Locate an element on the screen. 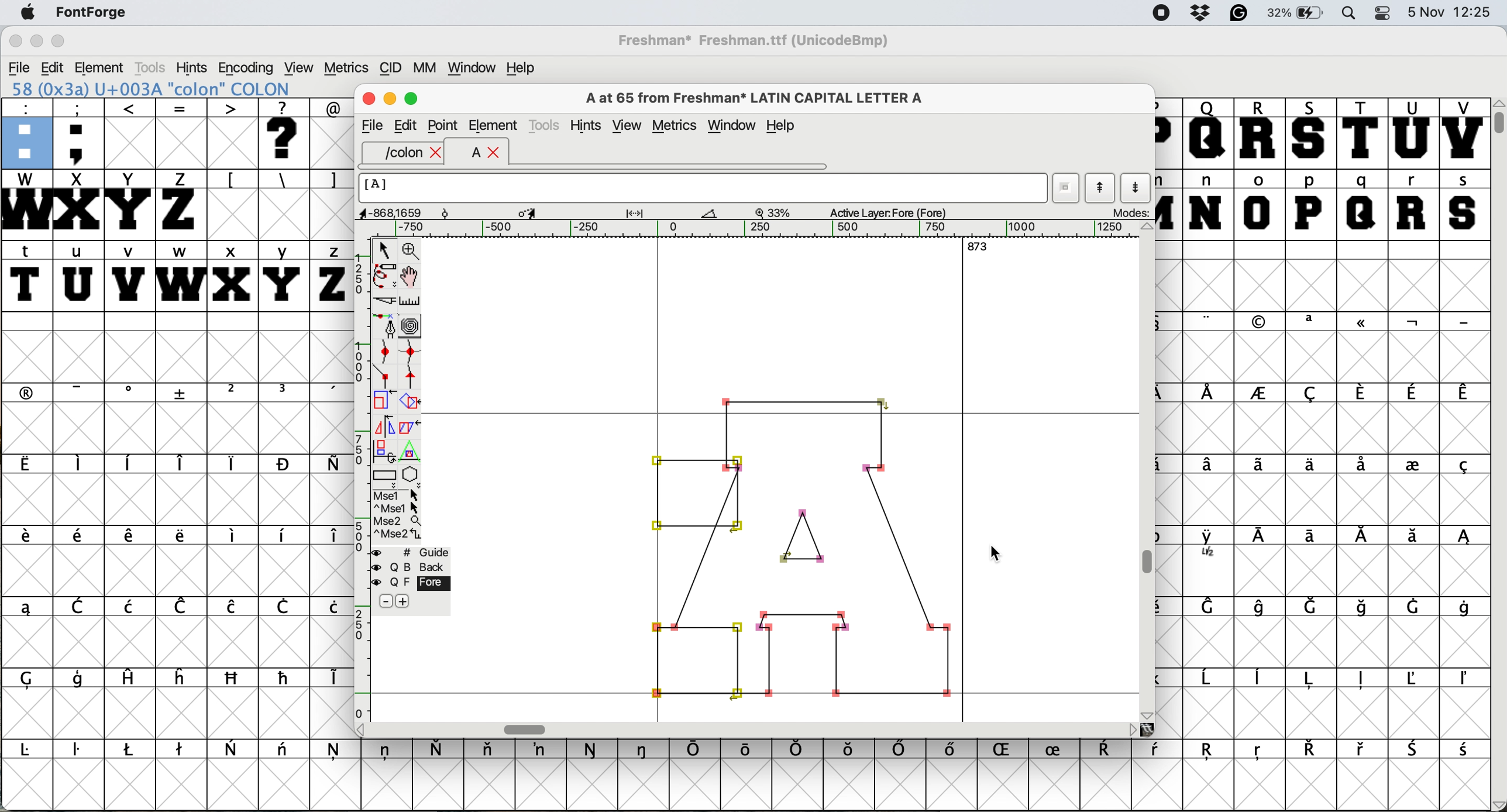 Image resolution: width=1507 pixels, height=812 pixels. add a tangent point is located at coordinates (414, 376).